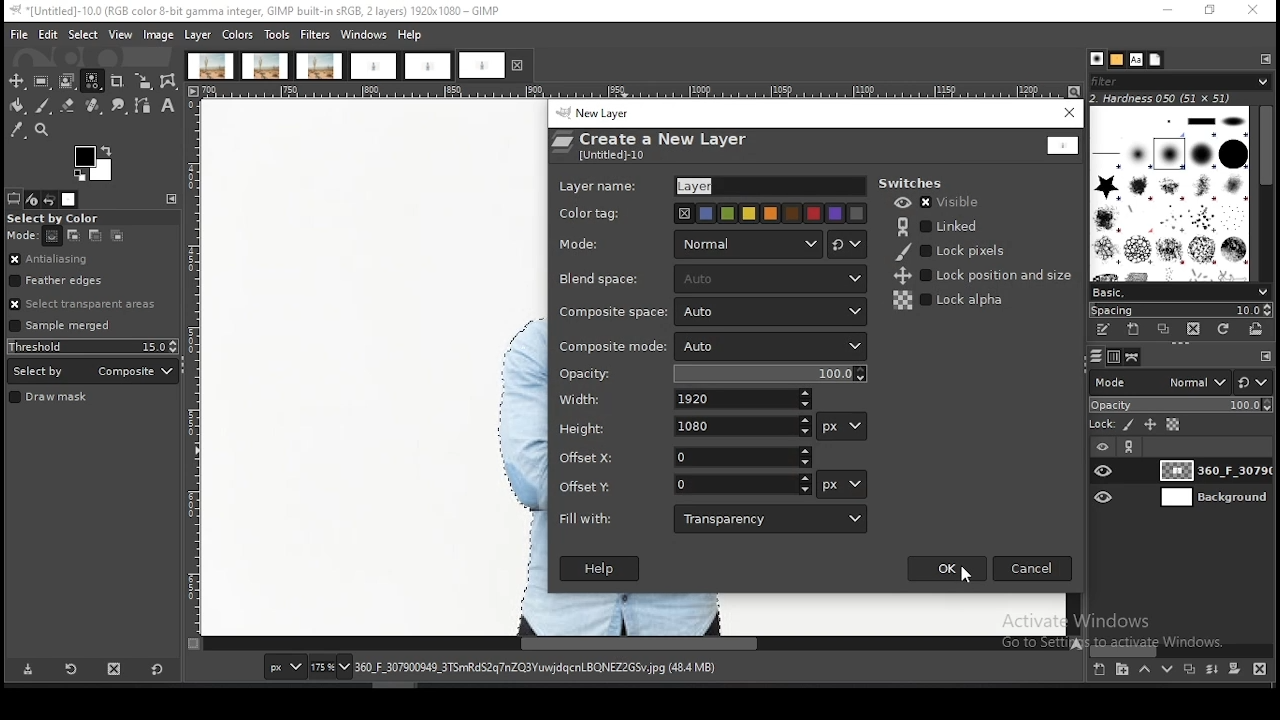 The width and height of the screenshot is (1280, 720). Describe the element at coordinates (1234, 668) in the screenshot. I see `add a mask` at that location.